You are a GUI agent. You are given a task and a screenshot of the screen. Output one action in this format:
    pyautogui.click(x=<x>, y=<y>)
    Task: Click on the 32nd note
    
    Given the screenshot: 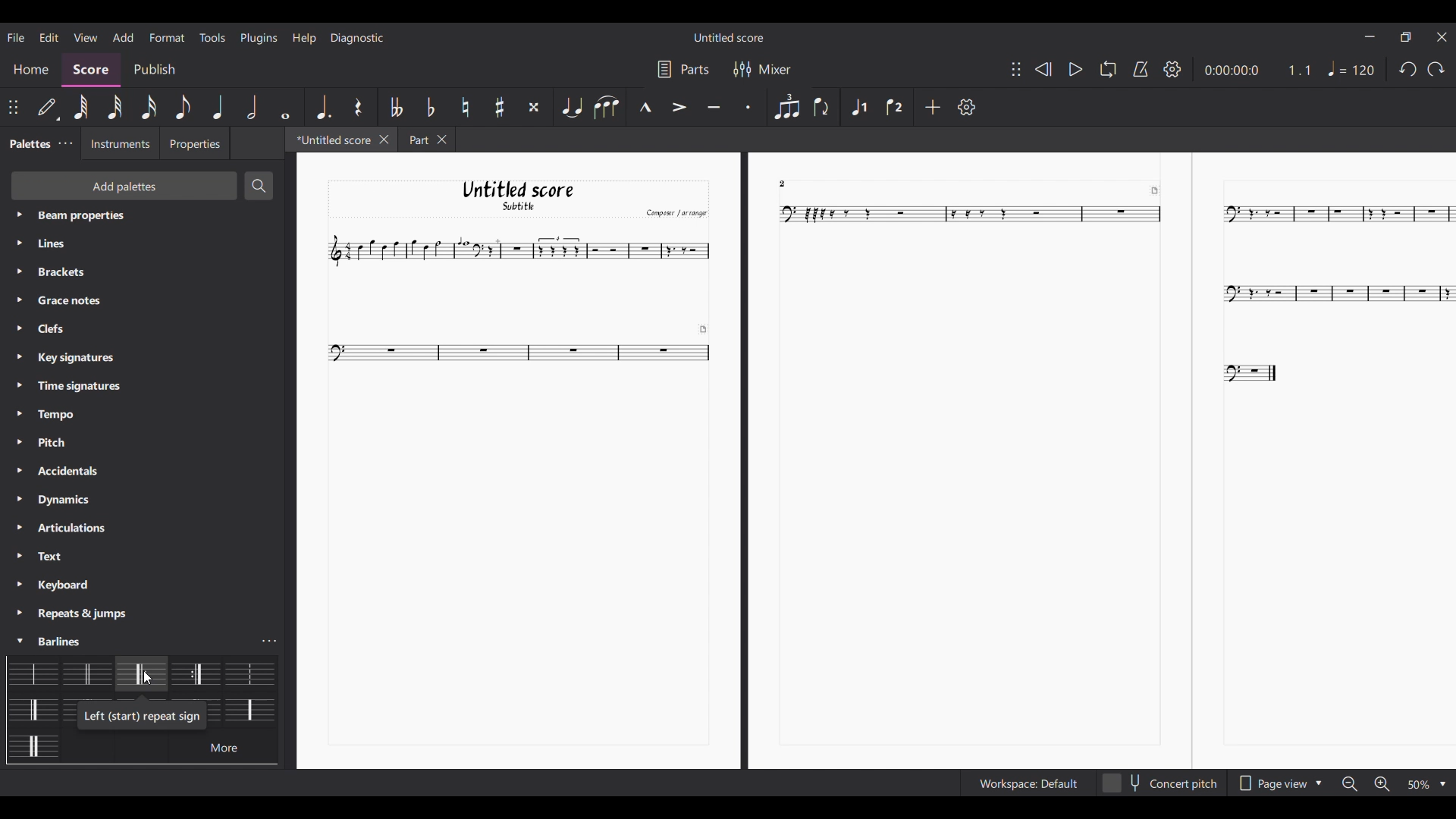 What is the action you would take?
    pyautogui.click(x=115, y=107)
    